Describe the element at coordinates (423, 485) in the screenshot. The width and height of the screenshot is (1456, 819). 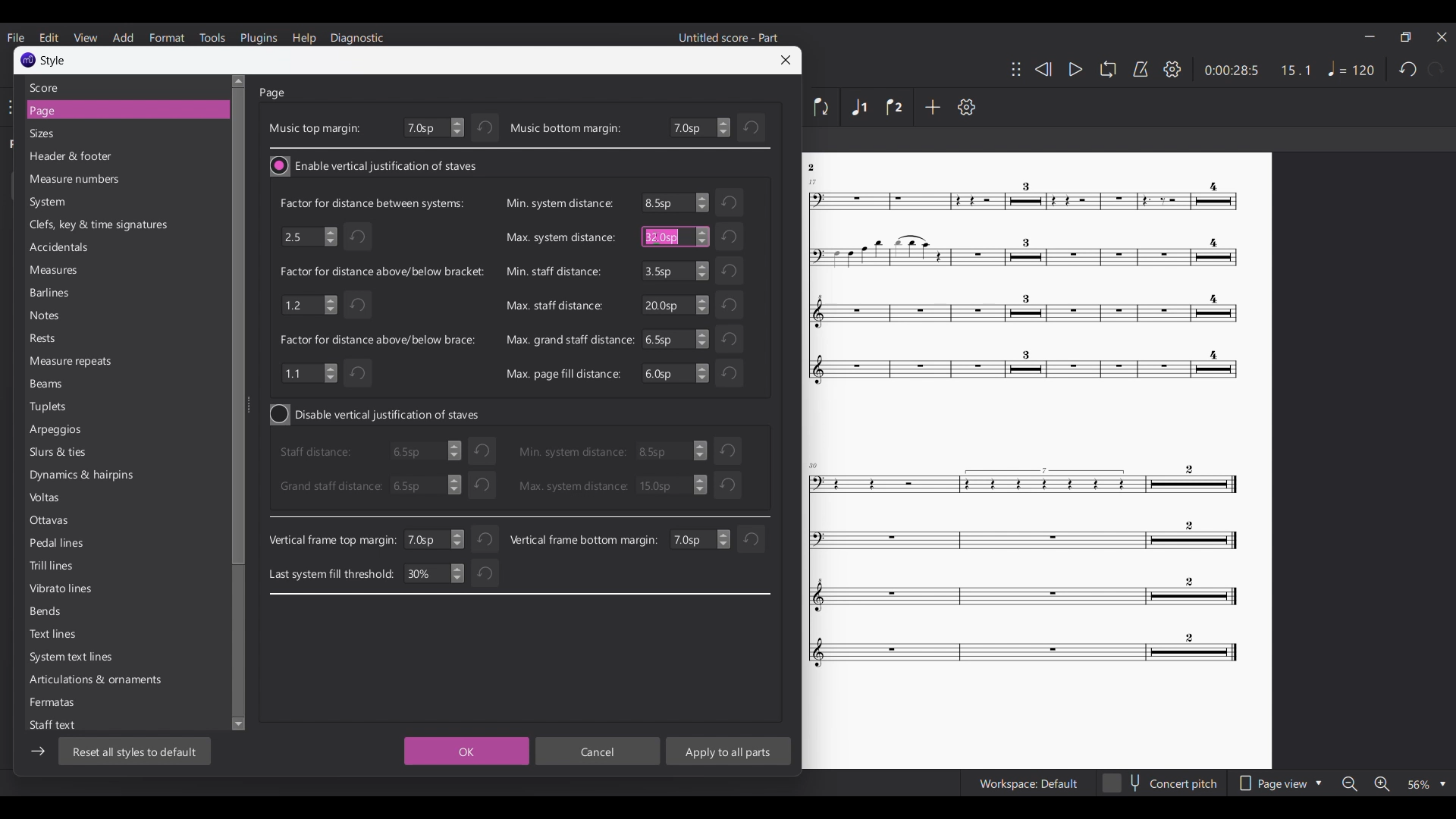
I see `6.5sp` at that location.